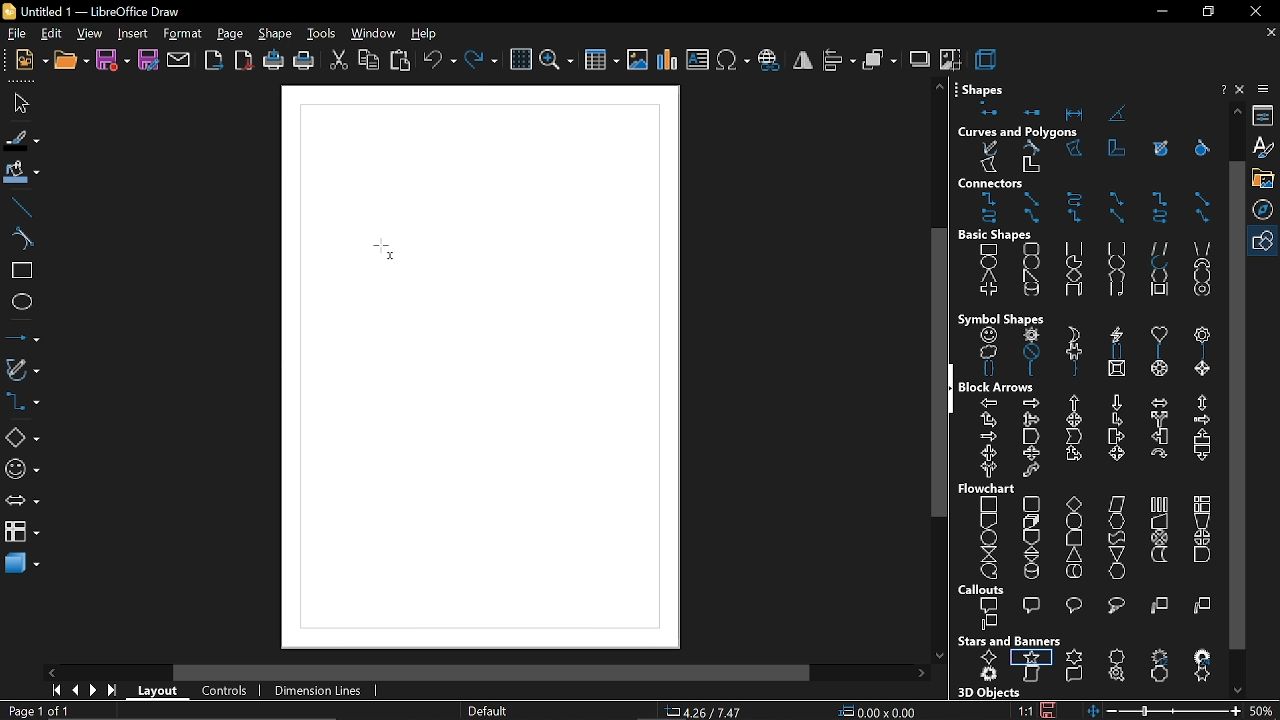 This screenshot has width=1280, height=720. Describe the element at coordinates (94, 691) in the screenshot. I see `next page` at that location.